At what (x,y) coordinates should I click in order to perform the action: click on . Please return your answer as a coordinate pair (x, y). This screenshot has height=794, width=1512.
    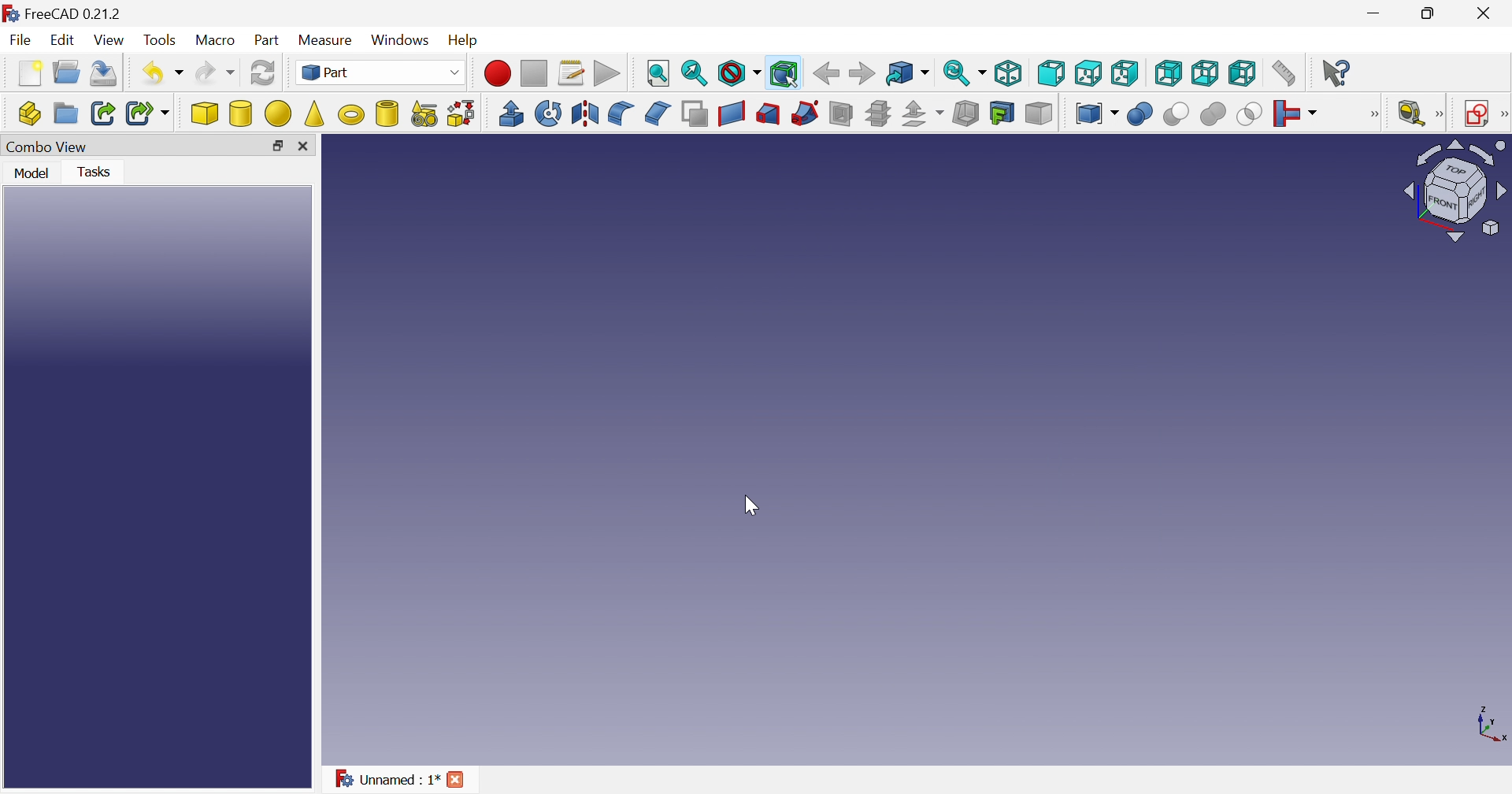
    Looking at the image, I should click on (880, 113).